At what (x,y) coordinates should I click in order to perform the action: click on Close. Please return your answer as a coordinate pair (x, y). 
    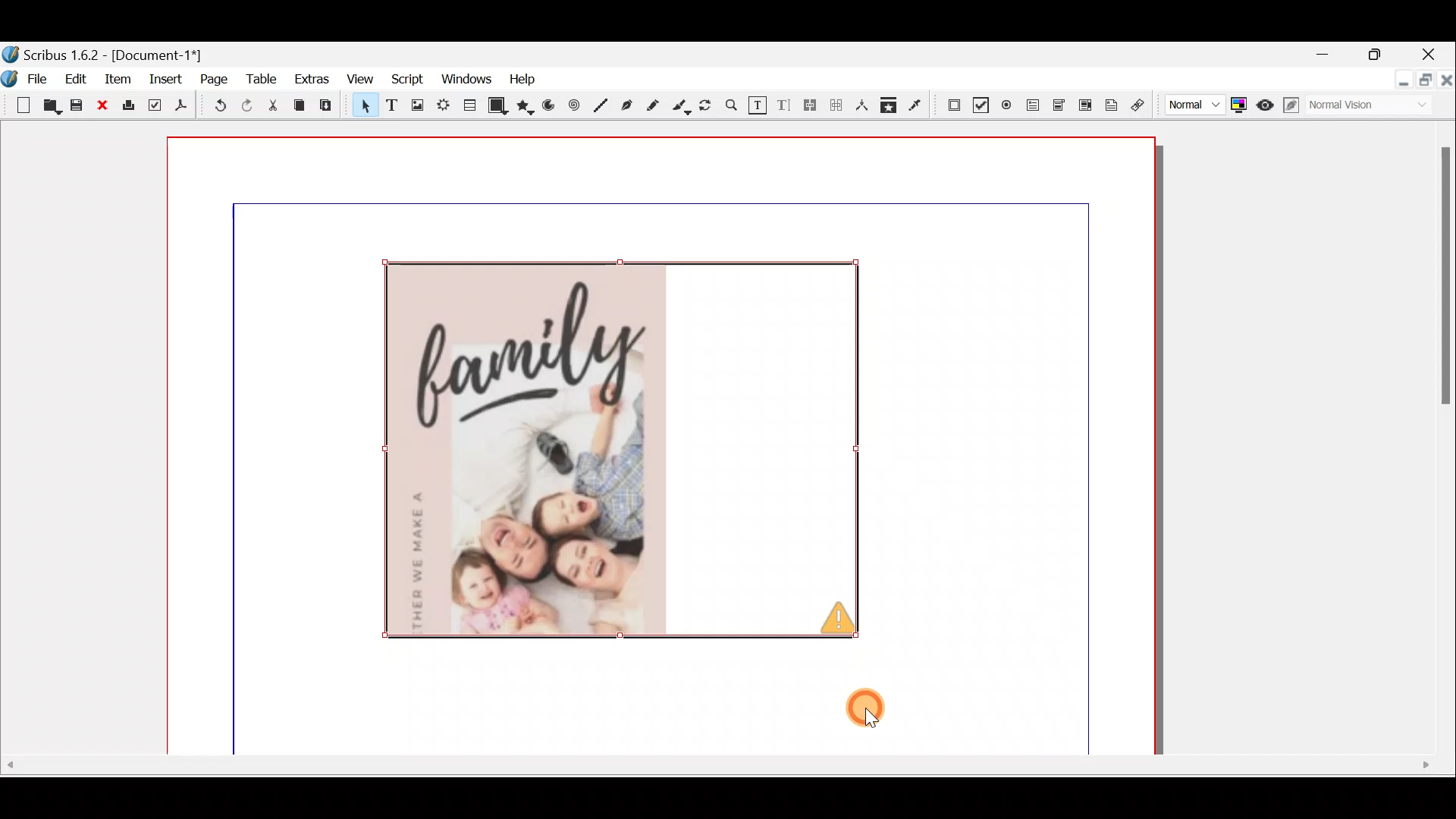
    Looking at the image, I should click on (104, 106).